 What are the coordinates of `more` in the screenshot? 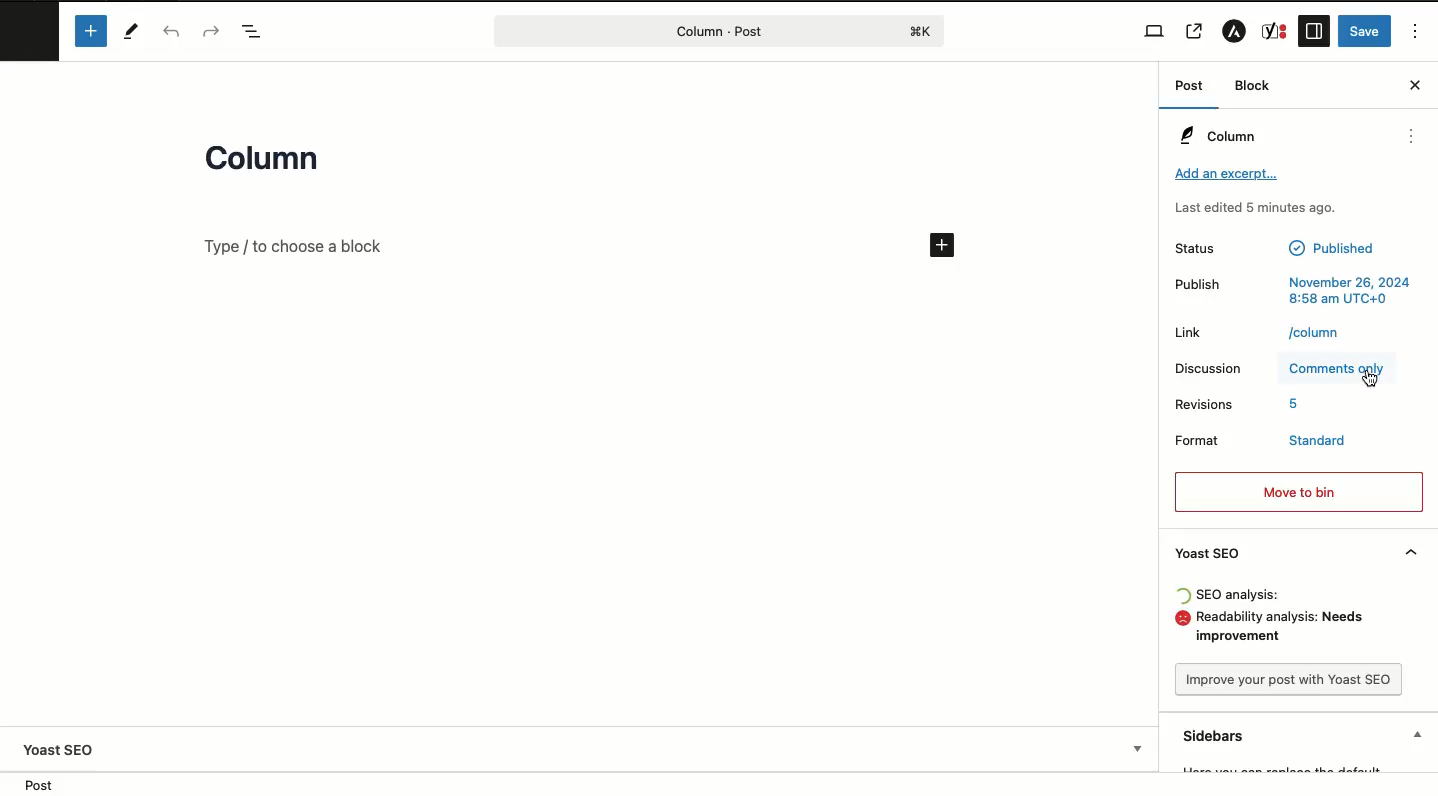 It's located at (1412, 136).